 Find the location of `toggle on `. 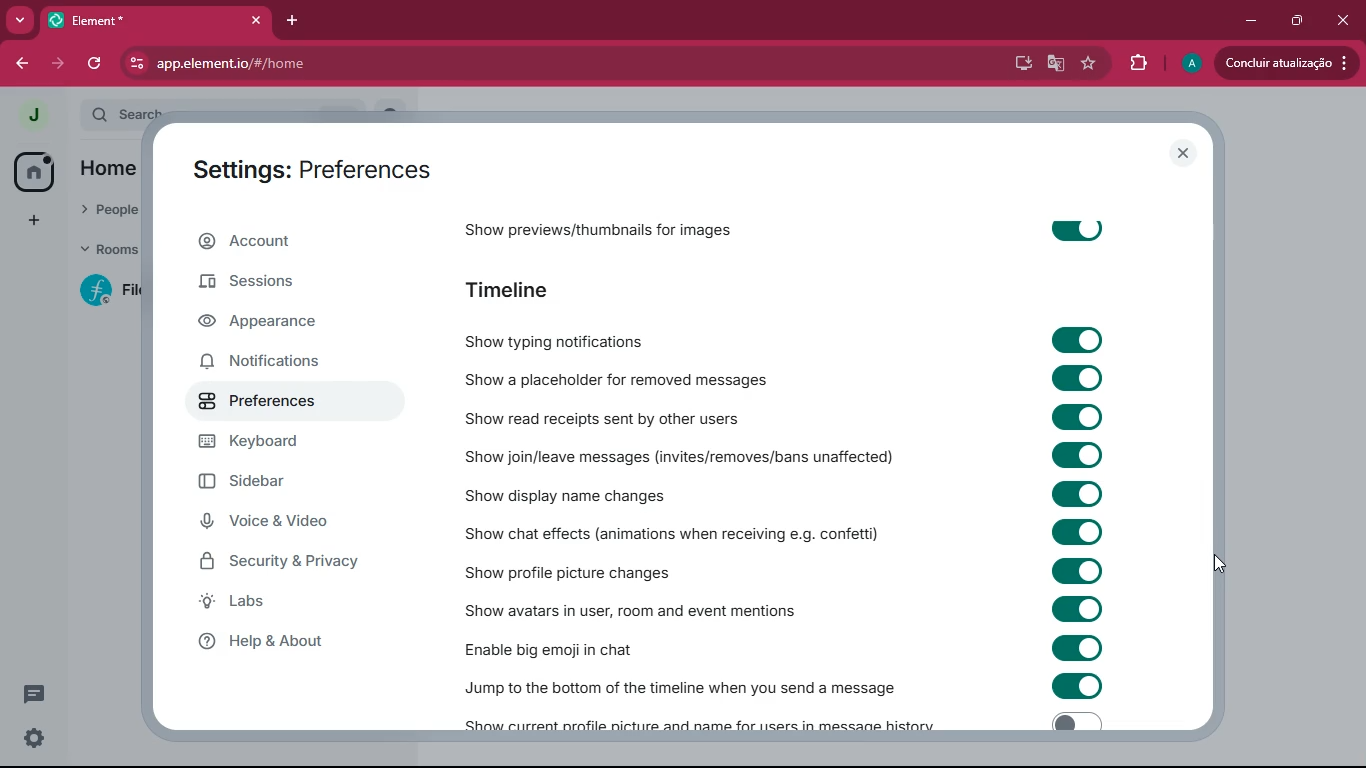

toggle on  is located at coordinates (1077, 646).